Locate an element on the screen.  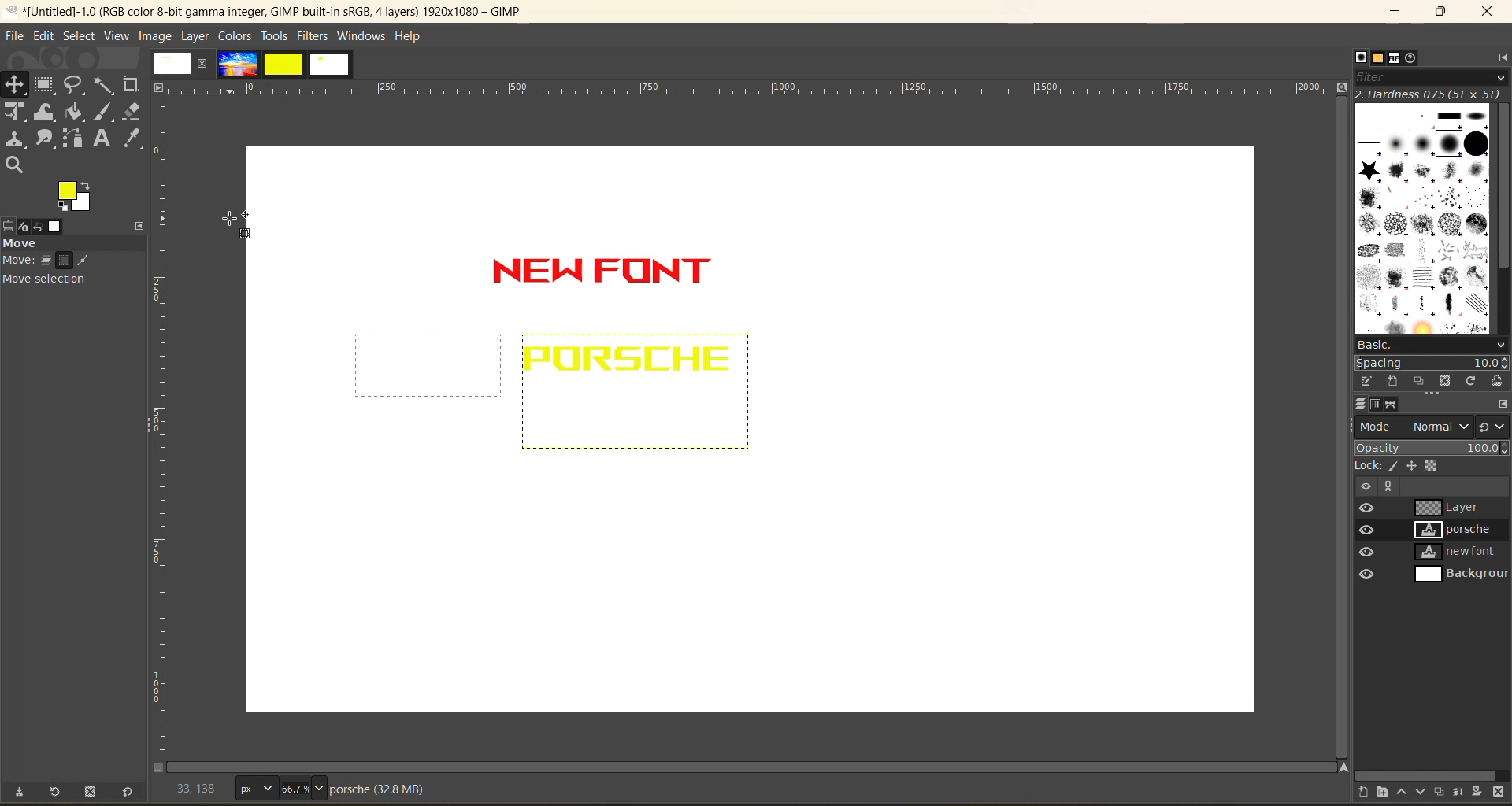
position and size is located at coordinates (1414, 467).